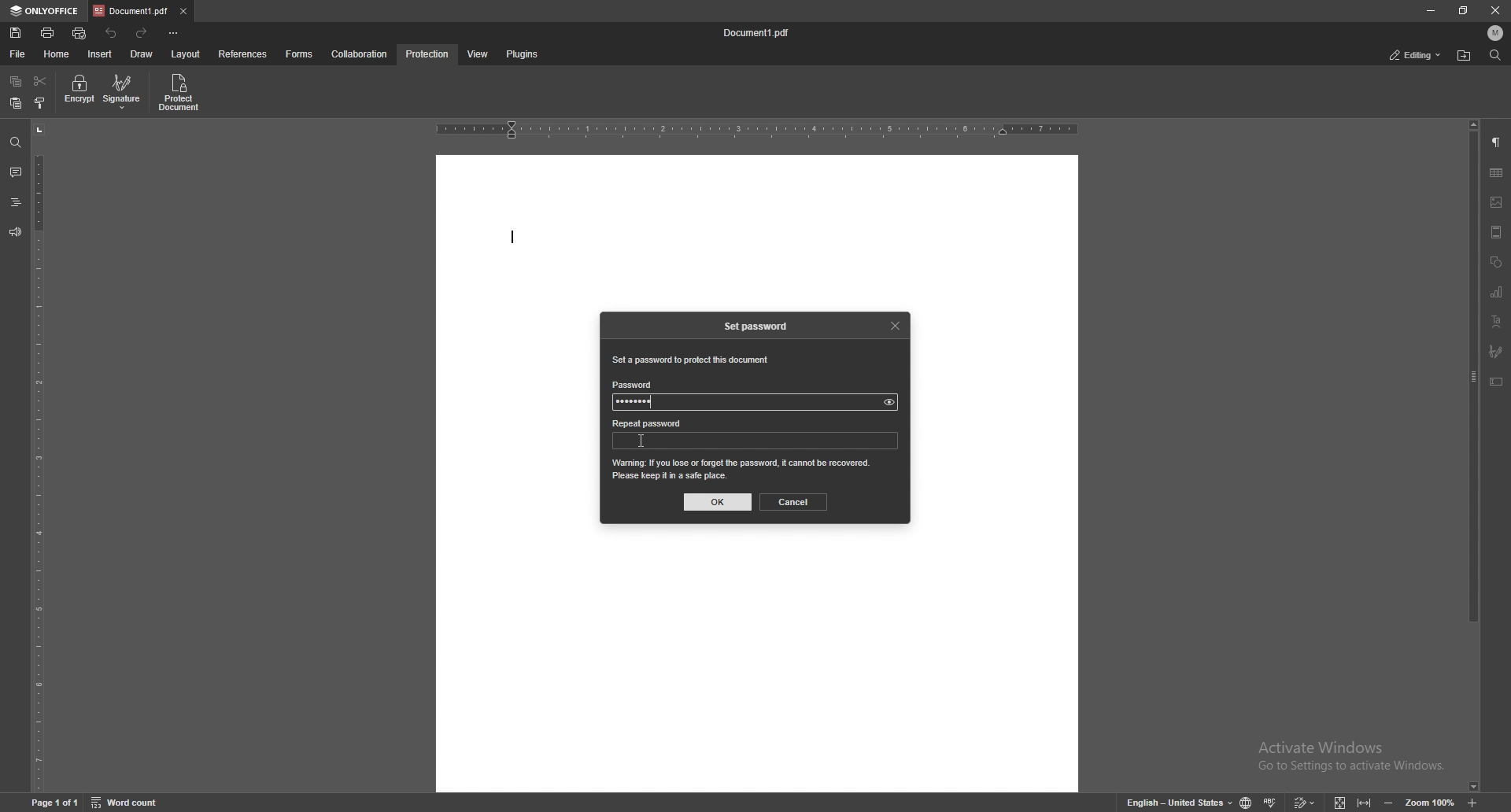  Describe the element at coordinates (48, 33) in the screenshot. I see `print` at that location.